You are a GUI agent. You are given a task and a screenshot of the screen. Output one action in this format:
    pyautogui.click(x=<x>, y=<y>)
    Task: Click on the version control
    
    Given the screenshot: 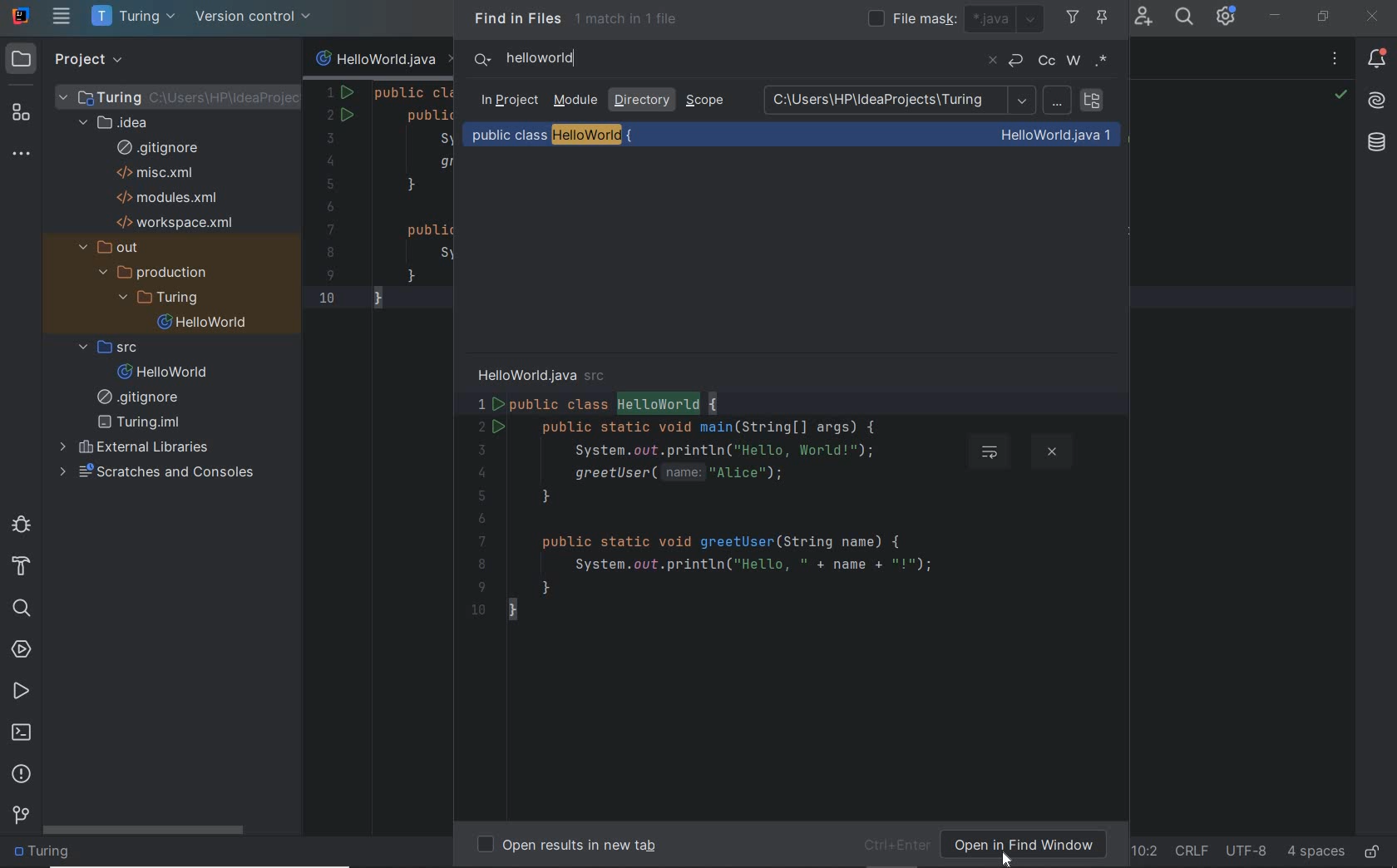 What is the action you would take?
    pyautogui.click(x=259, y=17)
    